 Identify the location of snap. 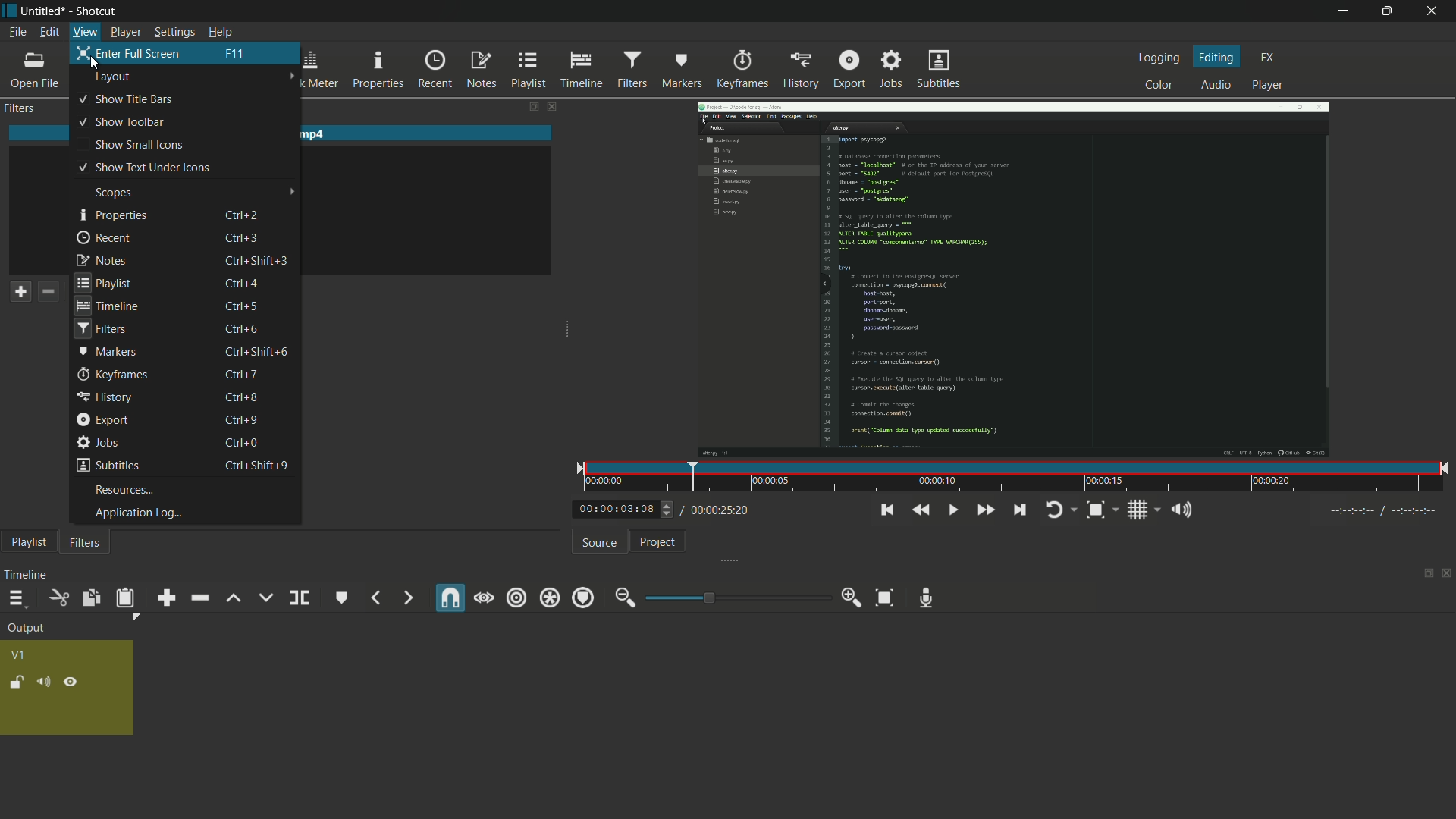
(449, 598).